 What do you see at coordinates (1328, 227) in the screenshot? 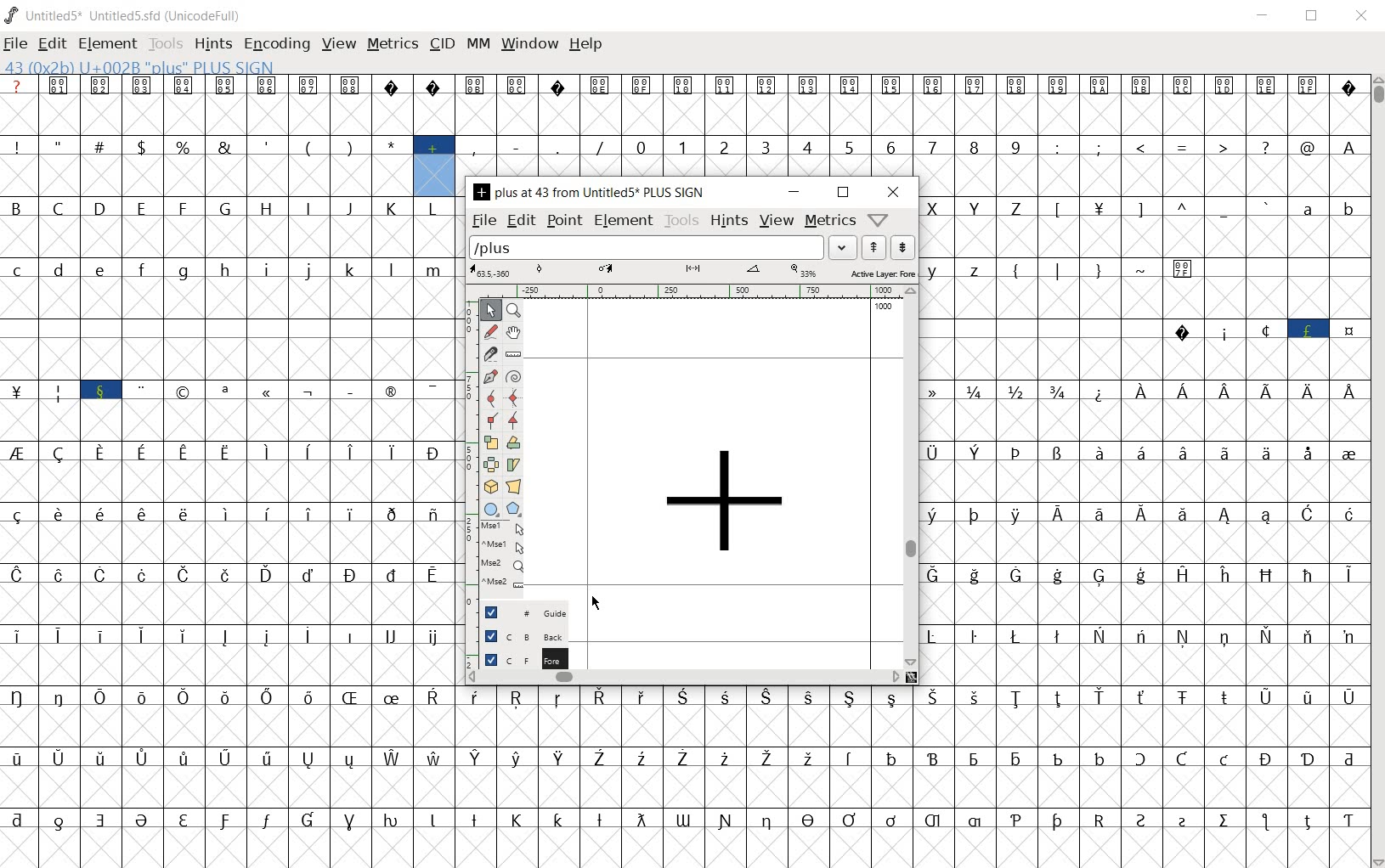
I see `alphabet` at bounding box center [1328, 227].